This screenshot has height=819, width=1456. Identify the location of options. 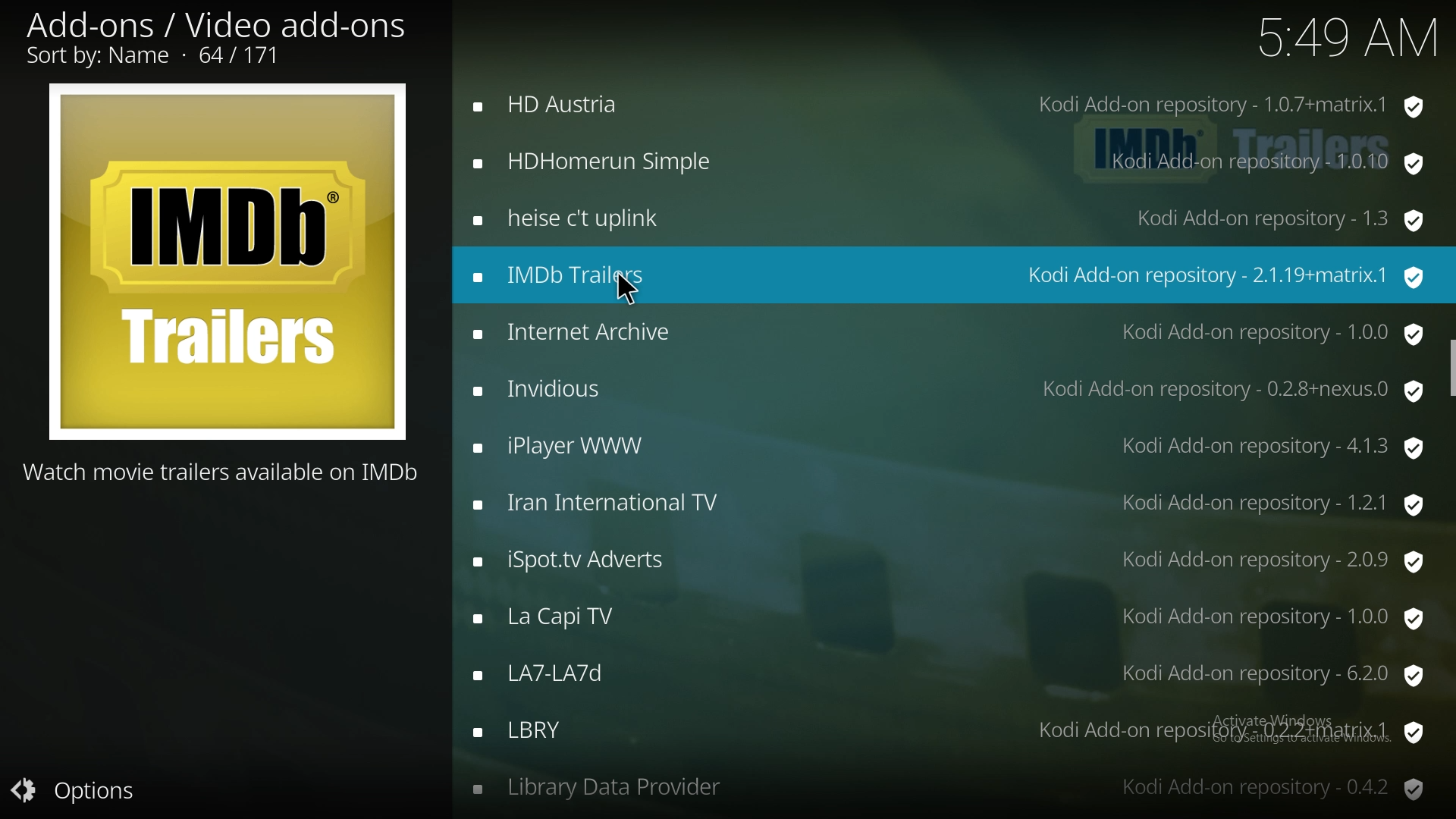
(85, 790).